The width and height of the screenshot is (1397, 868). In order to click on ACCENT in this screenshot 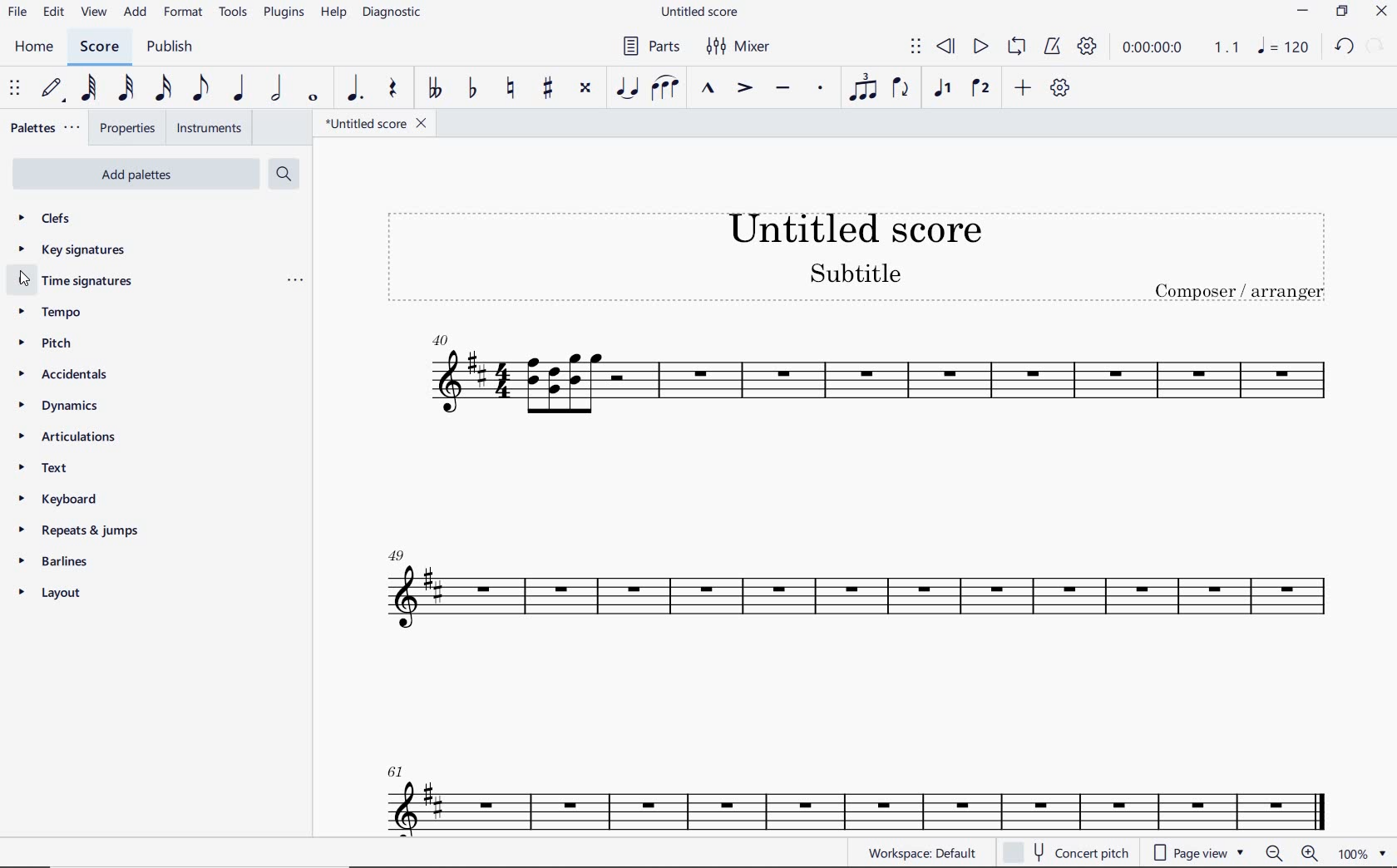, I will do `click(744, 89)`.